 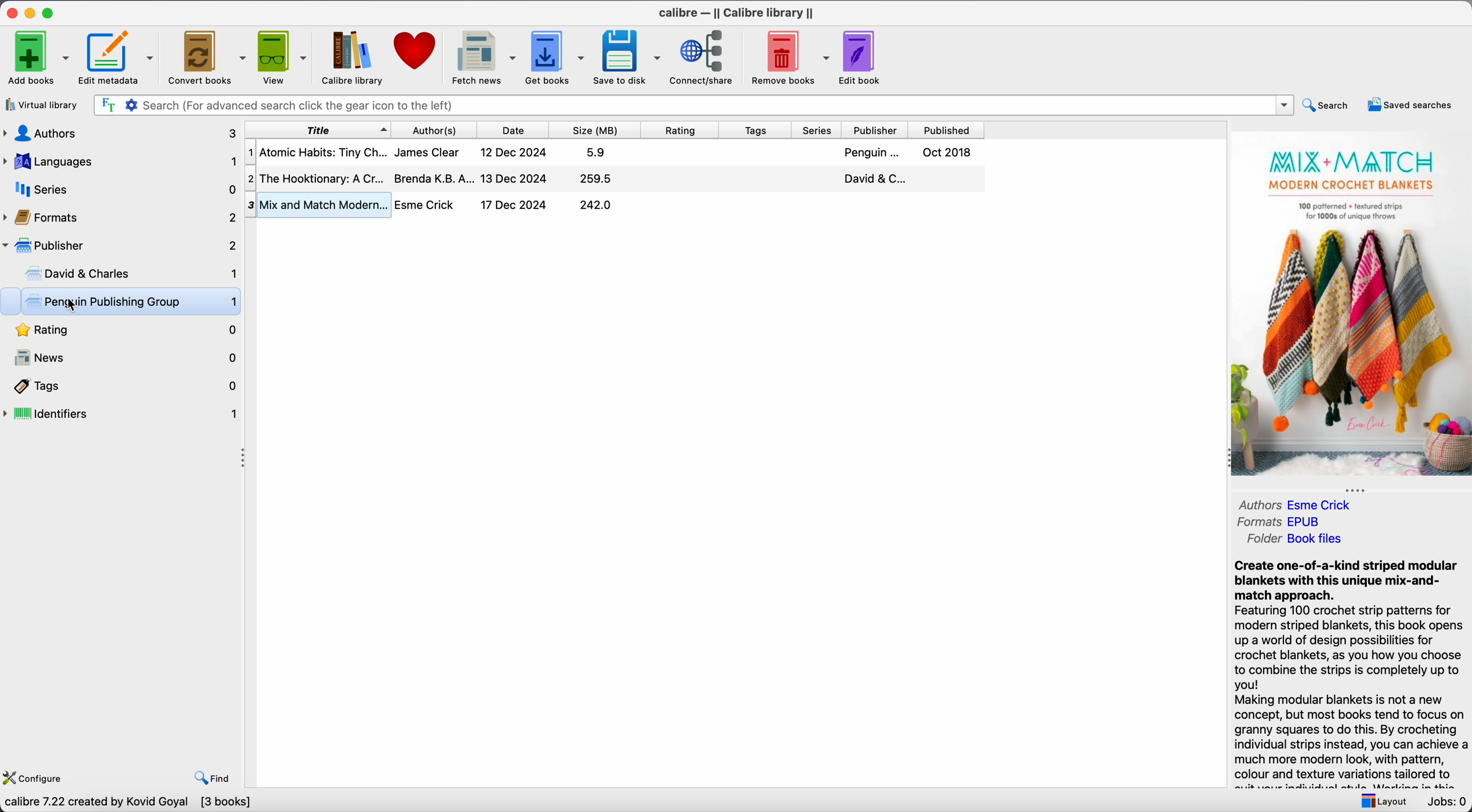 What do you see at coordinates (705, 58) in the screenshot?
I see `connect/share` at bounding box center [705, 58].